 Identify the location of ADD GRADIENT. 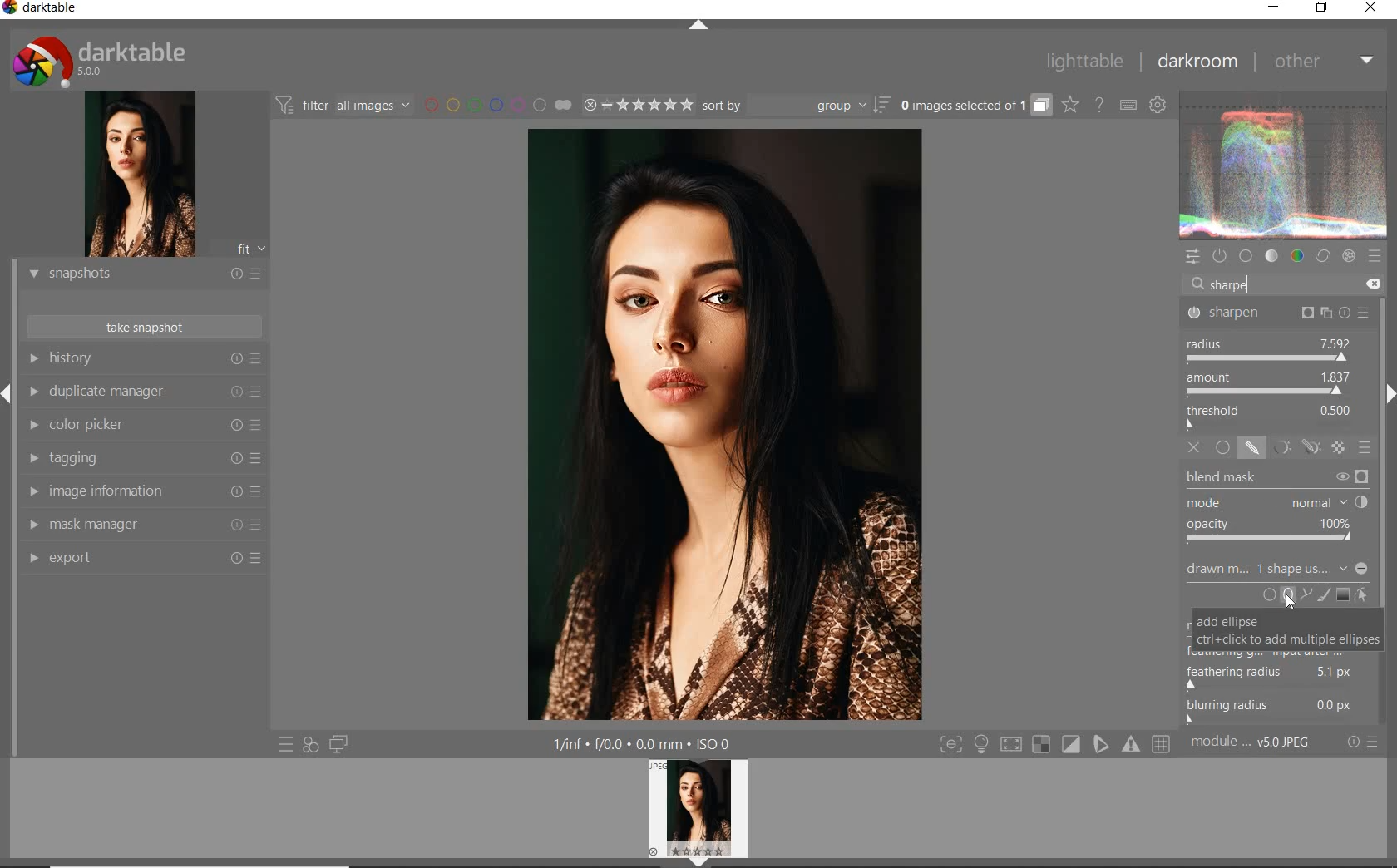
(1342, 594).